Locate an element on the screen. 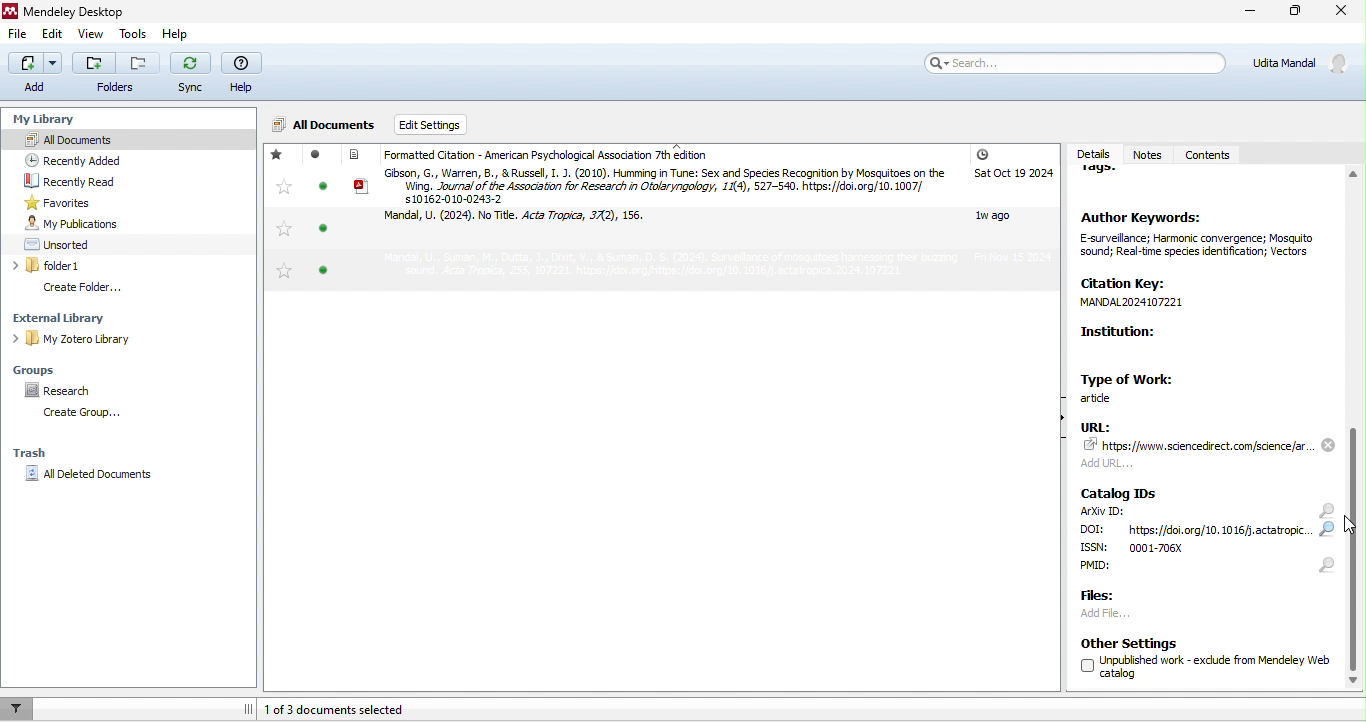 The width and height of the screenshot is (1366, 722). external library is located at coordinates (108, 317).